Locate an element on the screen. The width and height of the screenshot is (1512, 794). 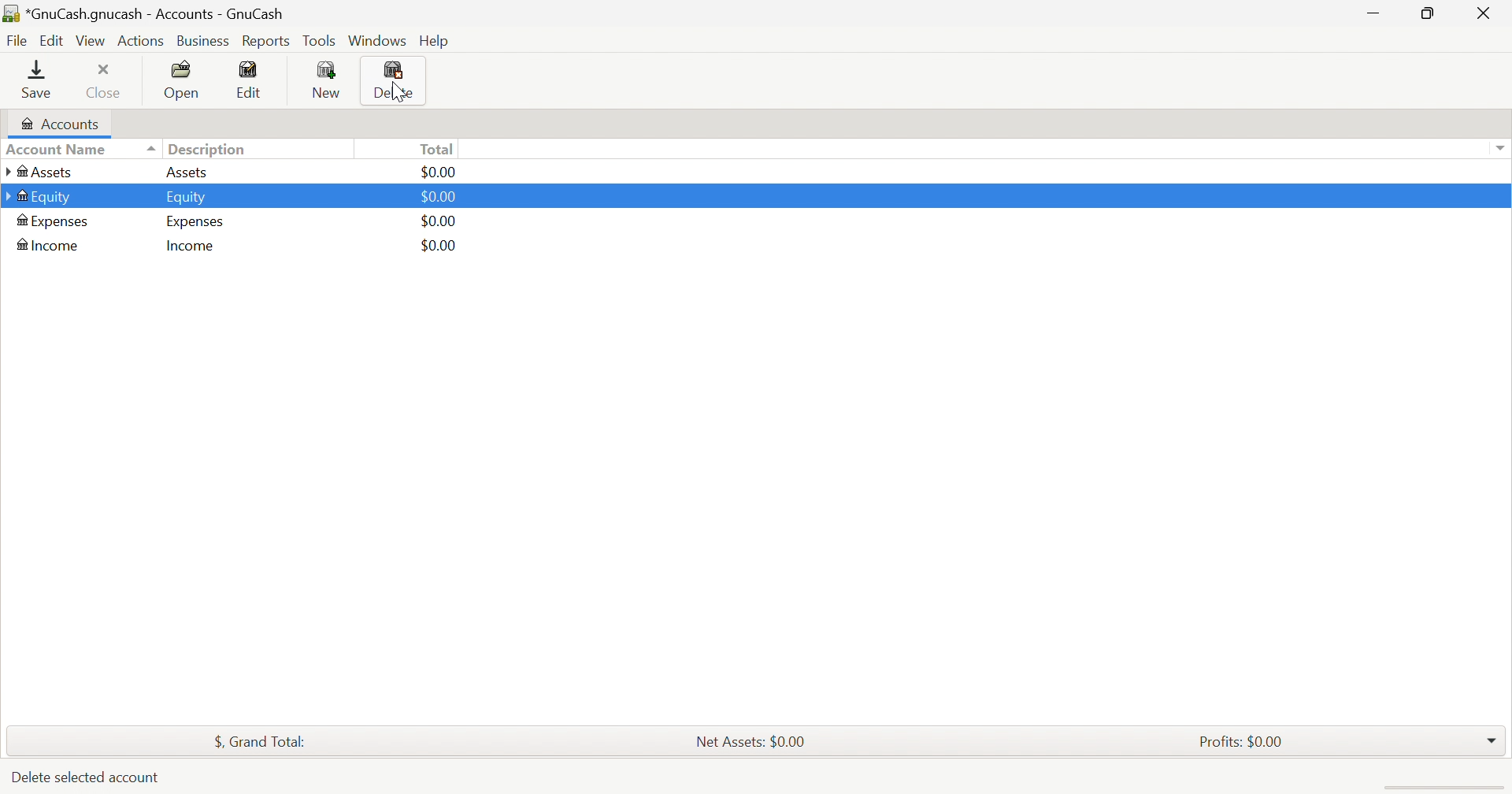
Actions is located at coordinates (140, 42).